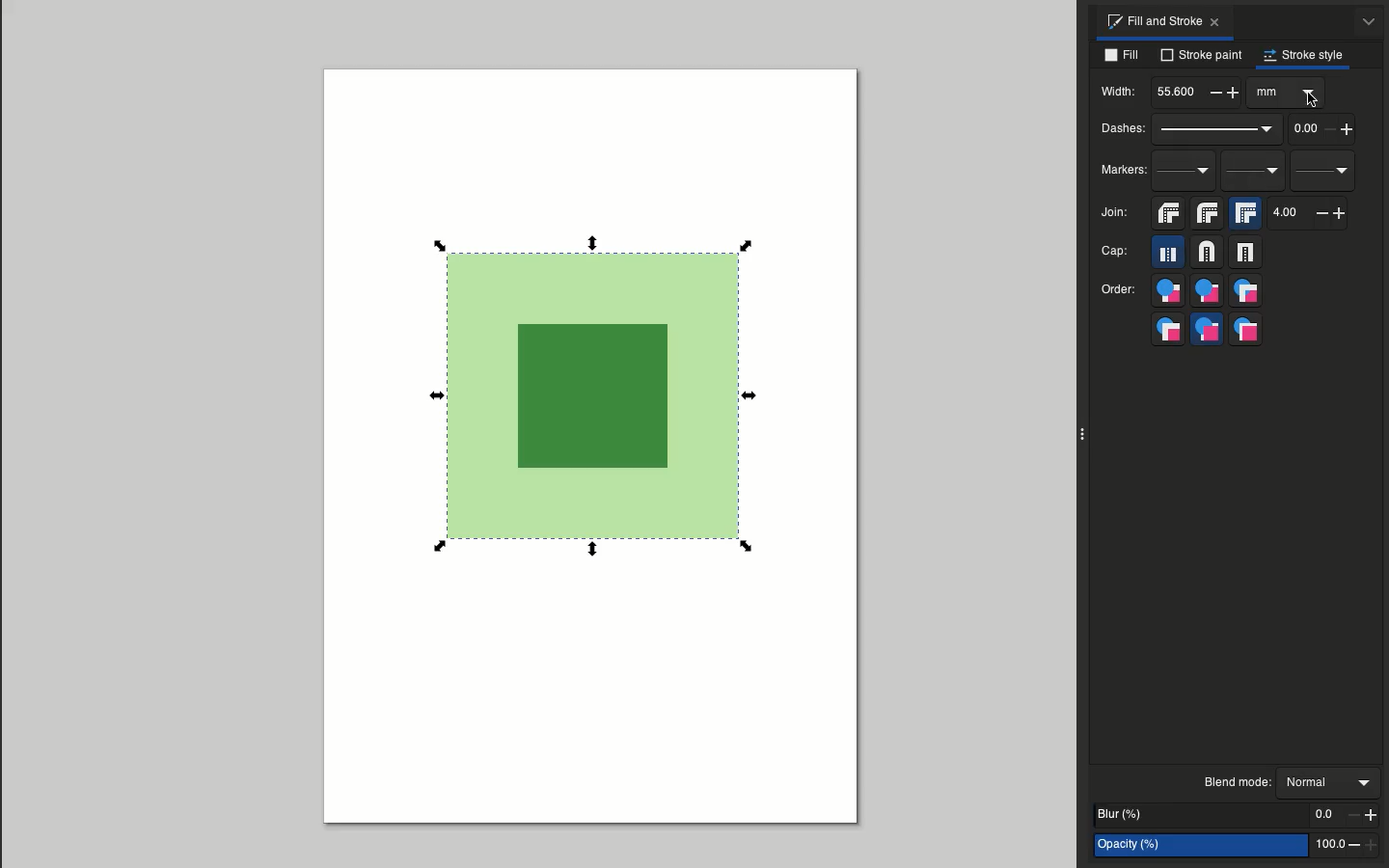 This screenshot has height=868, width=1389. Describe the element at coordinates (1186, 173) in the screenshot. I see `Start markers` at that location.